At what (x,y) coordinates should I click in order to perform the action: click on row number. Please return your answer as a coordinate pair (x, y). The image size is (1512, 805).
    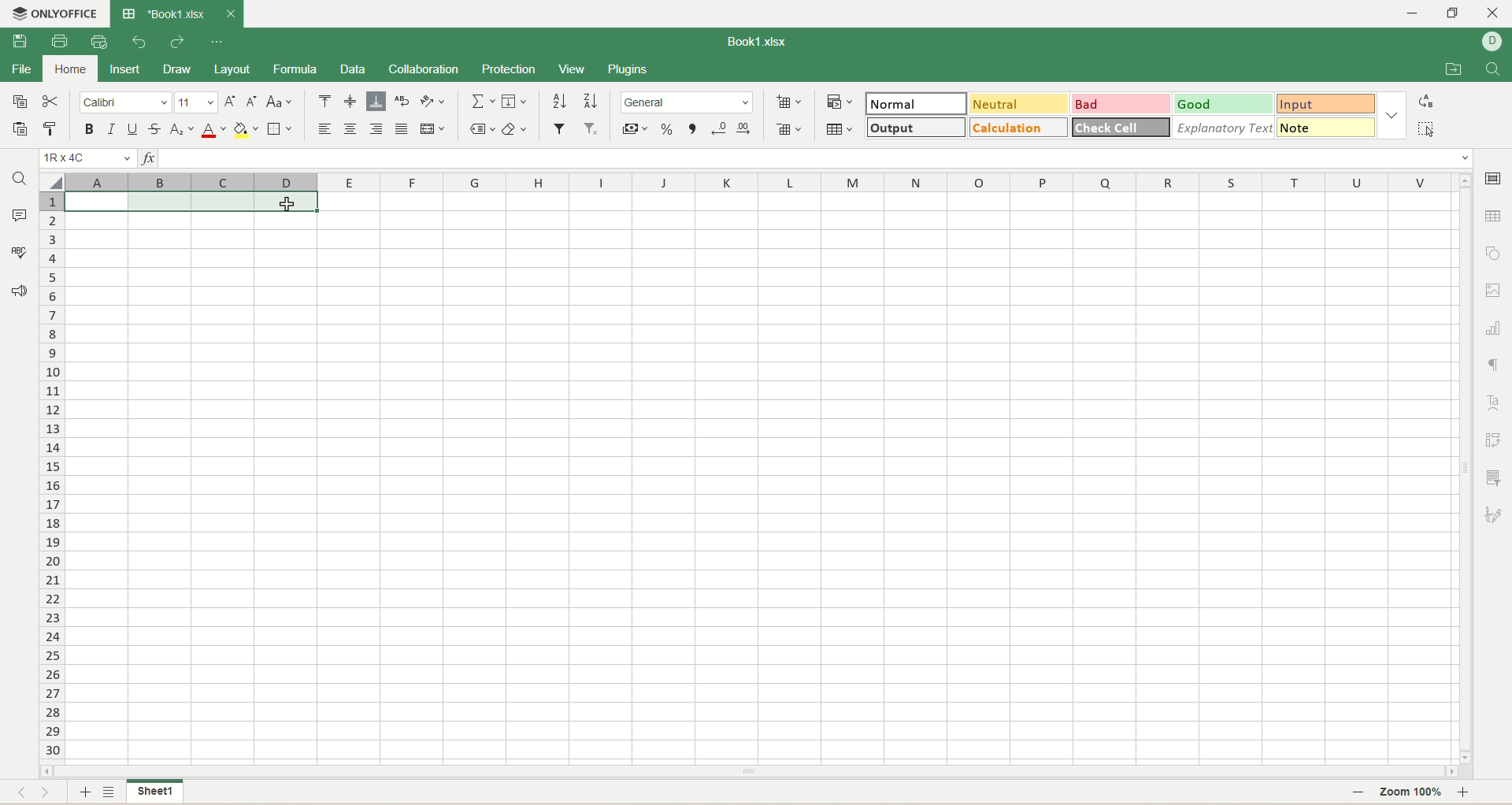
    Looking at the image, I should click on (50, 476).